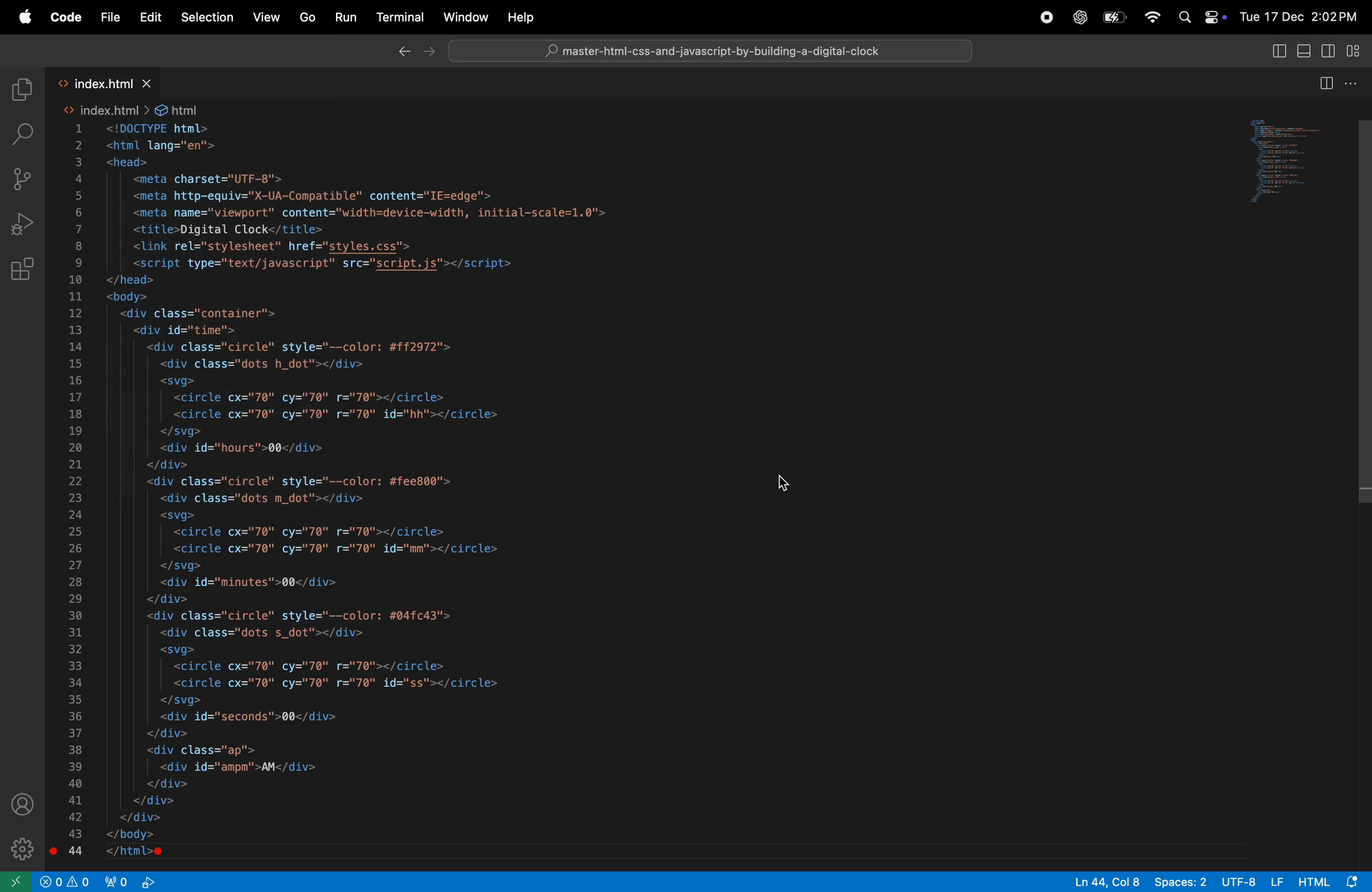 The image size is (1372, 892). I want to click on file, so click(112, 17).